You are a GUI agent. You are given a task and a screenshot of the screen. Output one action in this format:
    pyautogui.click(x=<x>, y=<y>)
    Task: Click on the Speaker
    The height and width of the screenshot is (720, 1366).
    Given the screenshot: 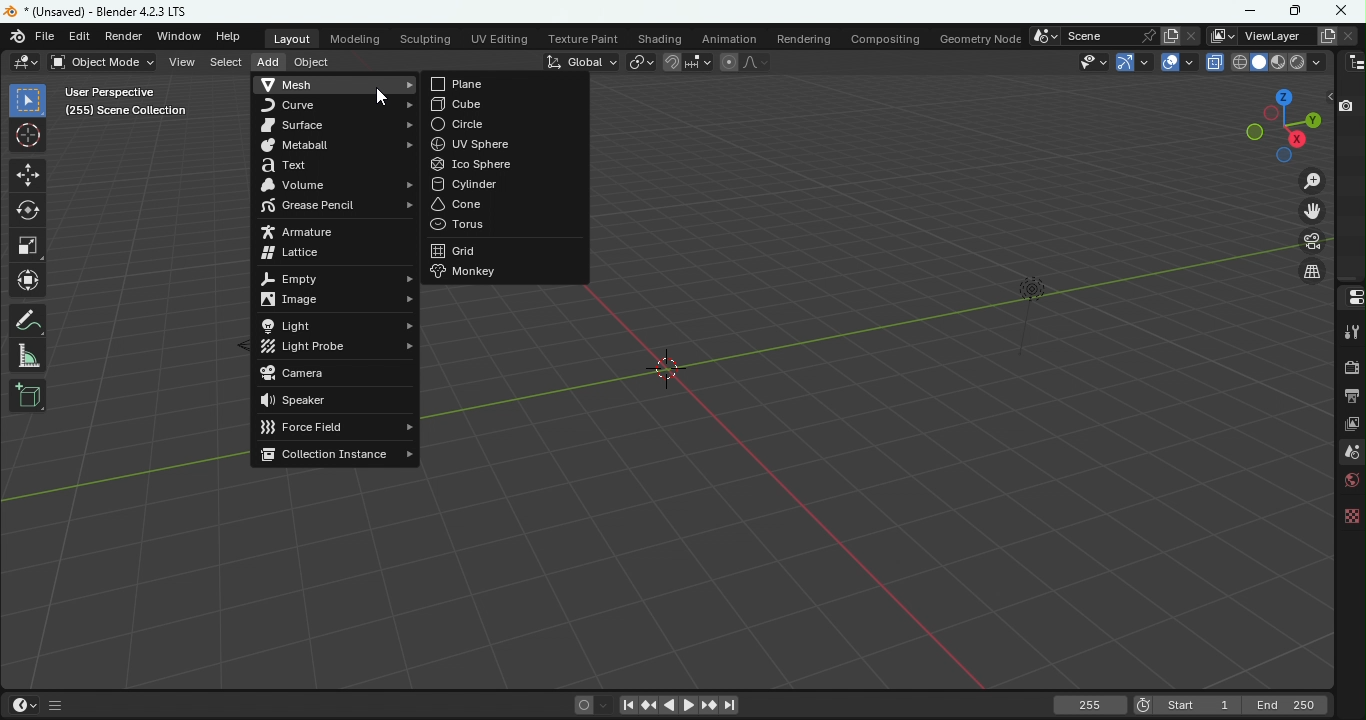 What is the action you would take?
    pyautogui.click(x=334, y=401)
    